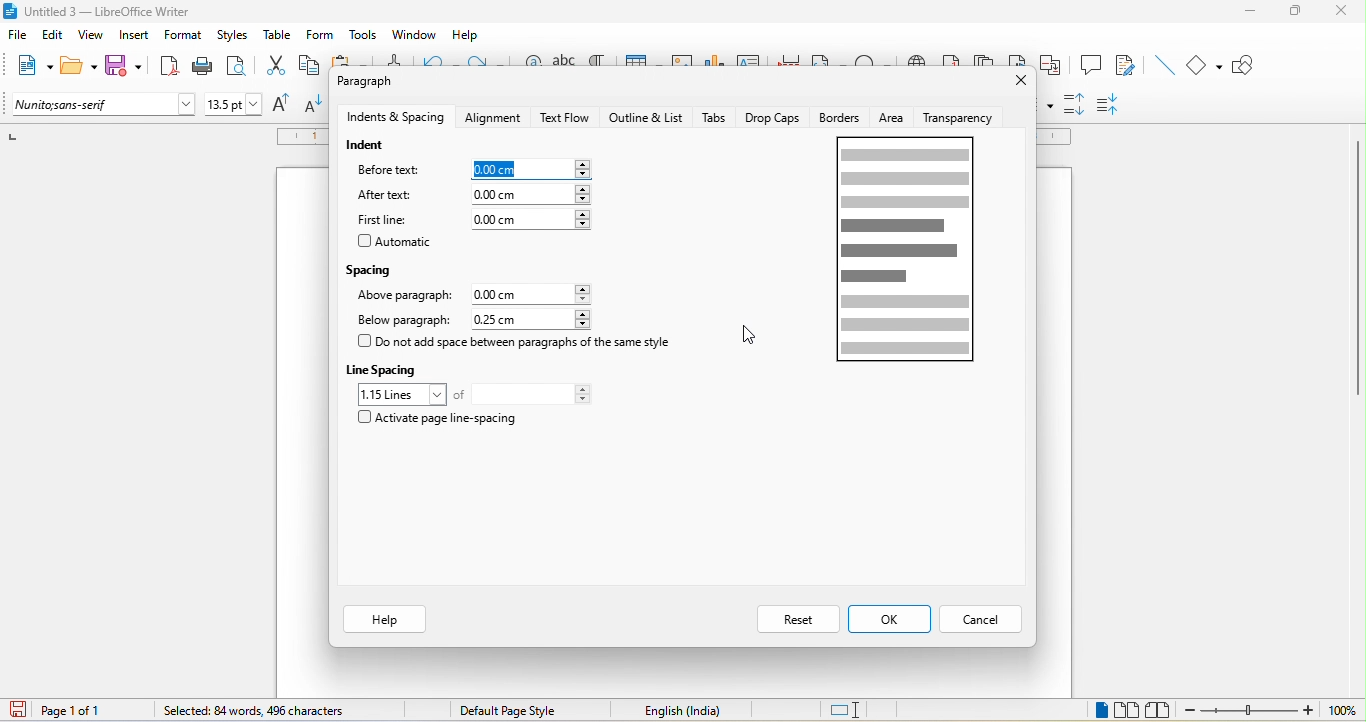 The width and height of the screenshot is (1366, 722). What do you see at coordinates (715, 116) in the screenshot?
I see `tabs` at bounding box center [715, 116].